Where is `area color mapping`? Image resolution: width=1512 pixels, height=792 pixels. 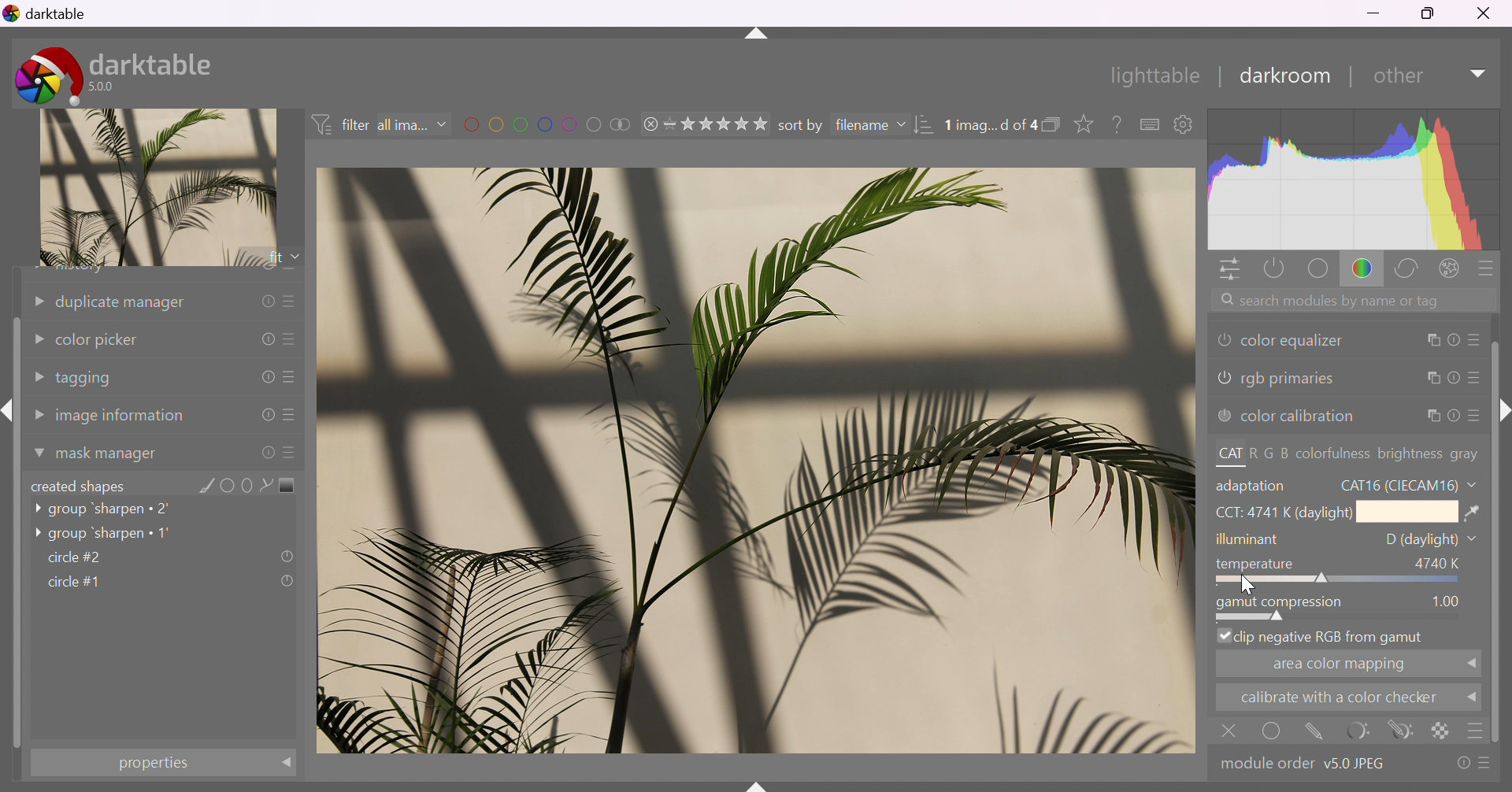 area color mapping is located at coordinates (1344, 664).